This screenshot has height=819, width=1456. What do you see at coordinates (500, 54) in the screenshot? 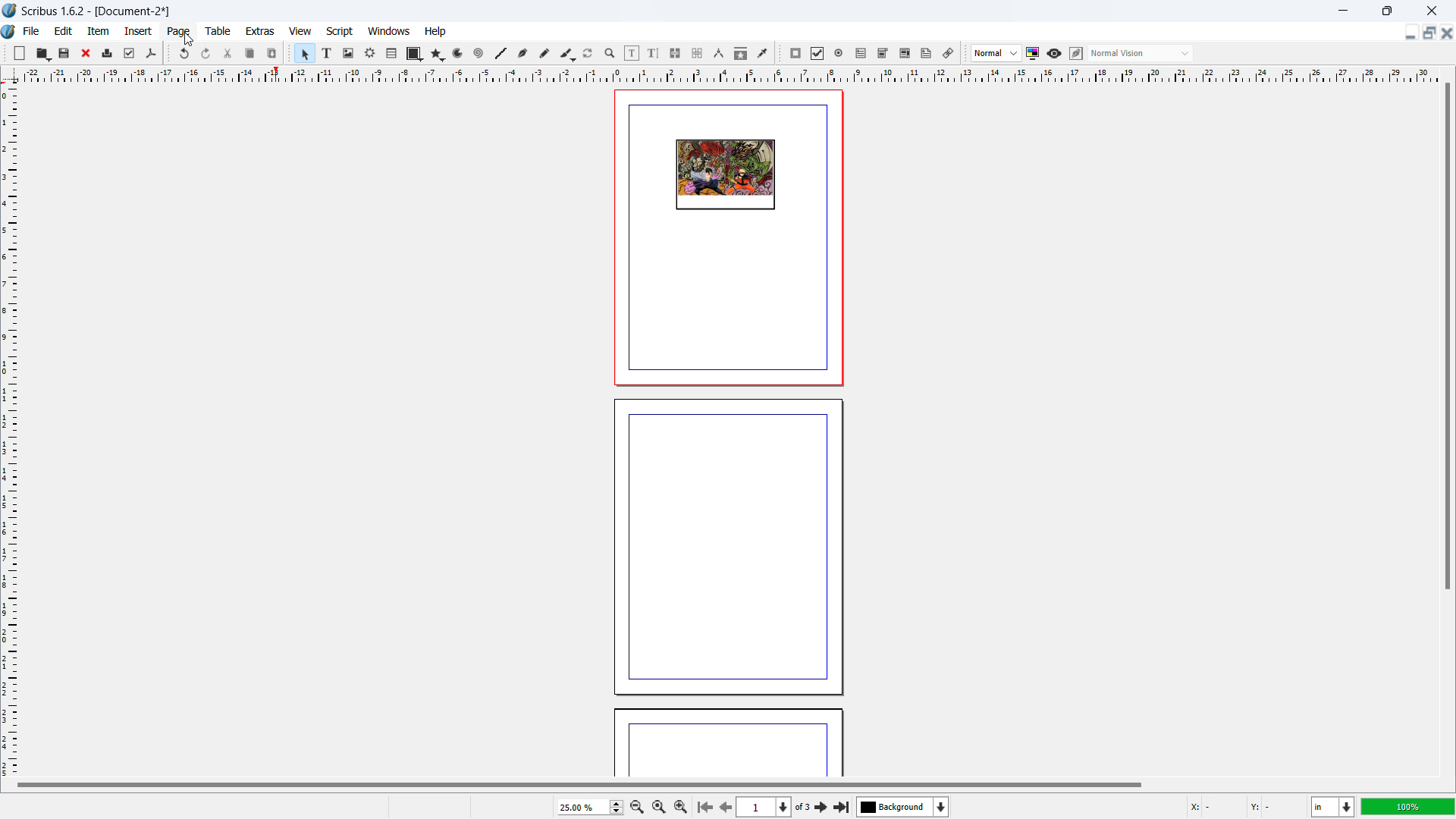
I see `line` at bounding box center [500, 54].